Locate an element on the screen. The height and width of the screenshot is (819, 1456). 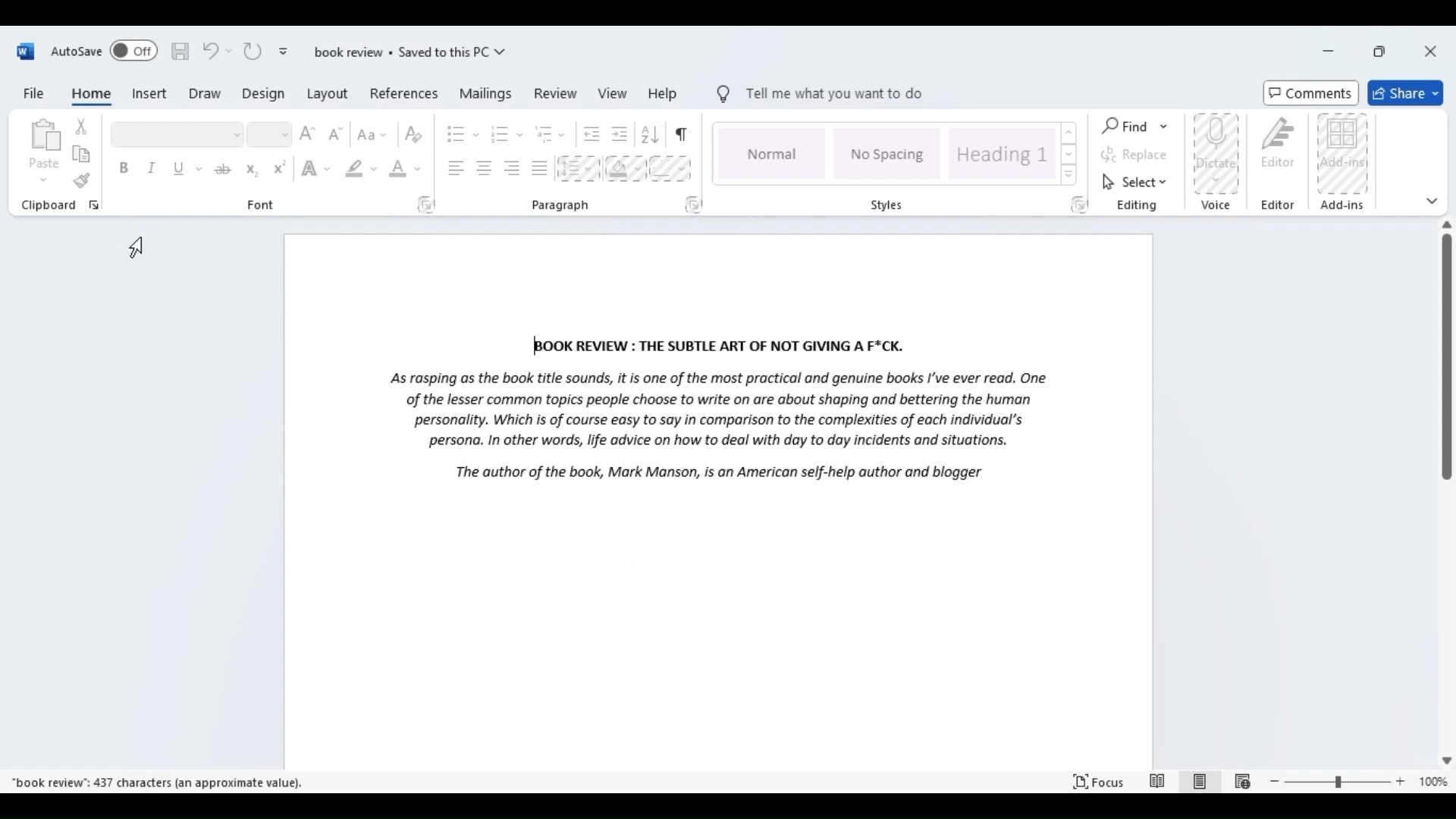
Draw is located at coordinates (202, 96).